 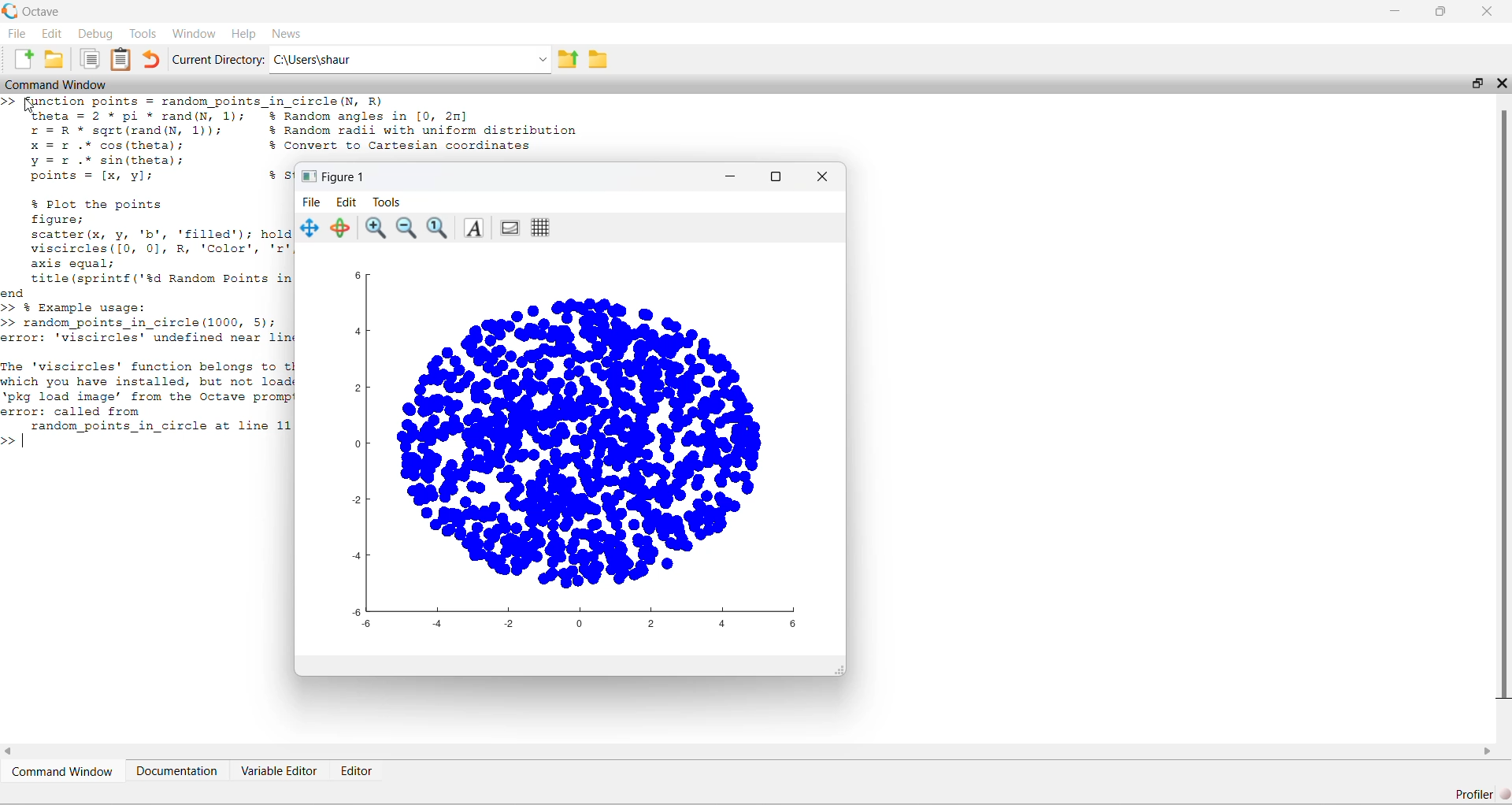 I want to click on File, so click(x=313, y=201).